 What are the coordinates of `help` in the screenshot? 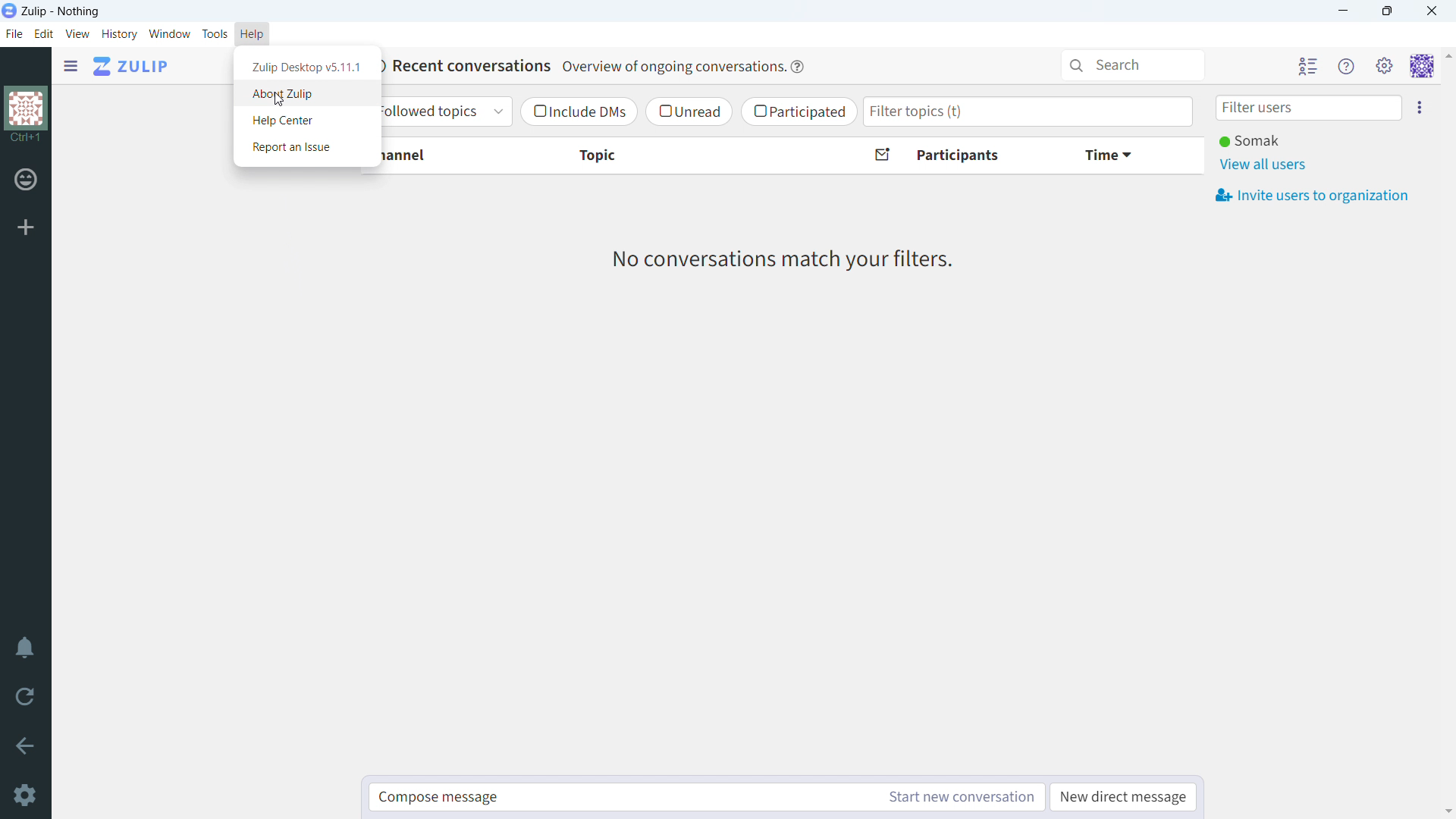 It's located at (253, 33).